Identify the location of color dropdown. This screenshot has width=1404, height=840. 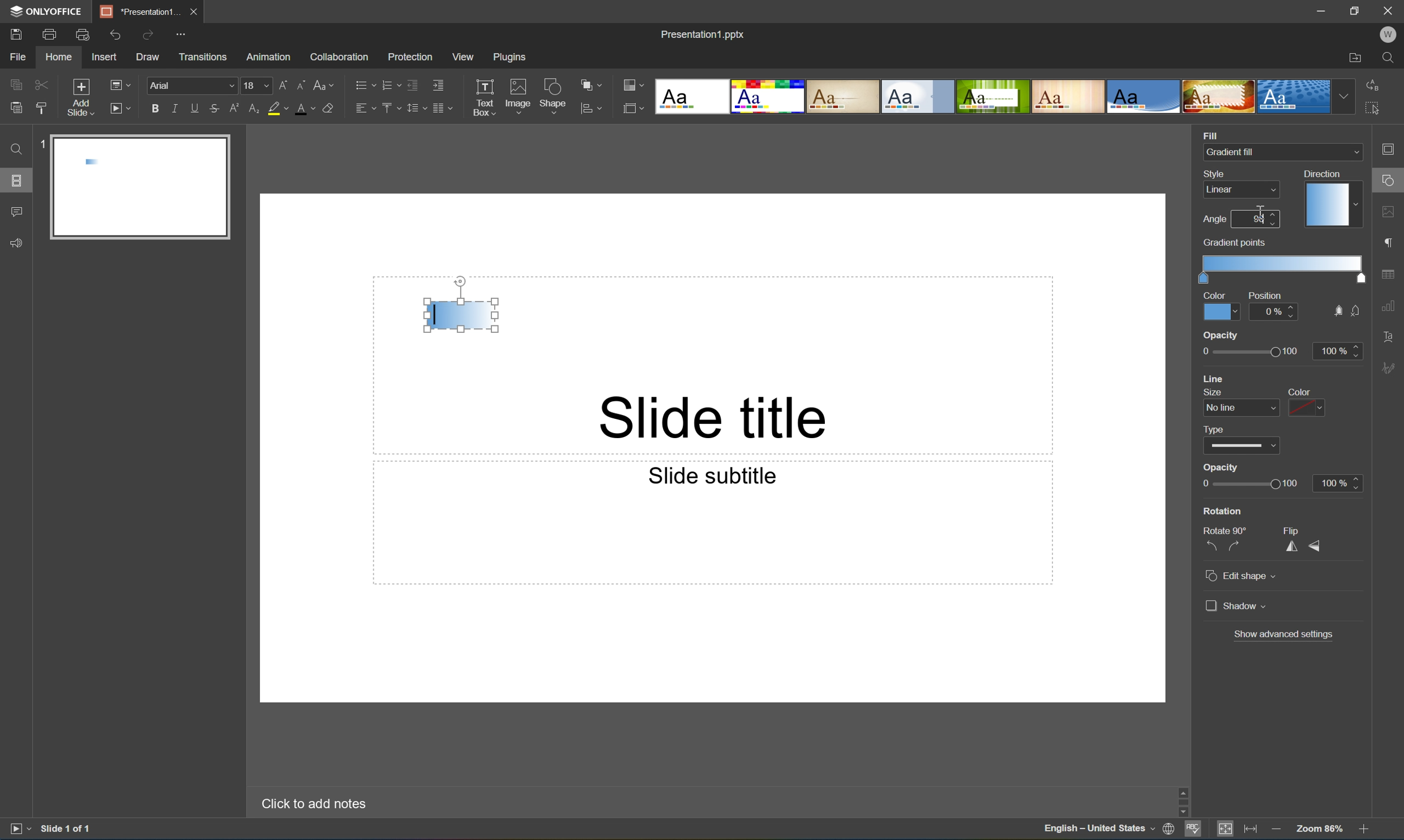
(1307, 408).